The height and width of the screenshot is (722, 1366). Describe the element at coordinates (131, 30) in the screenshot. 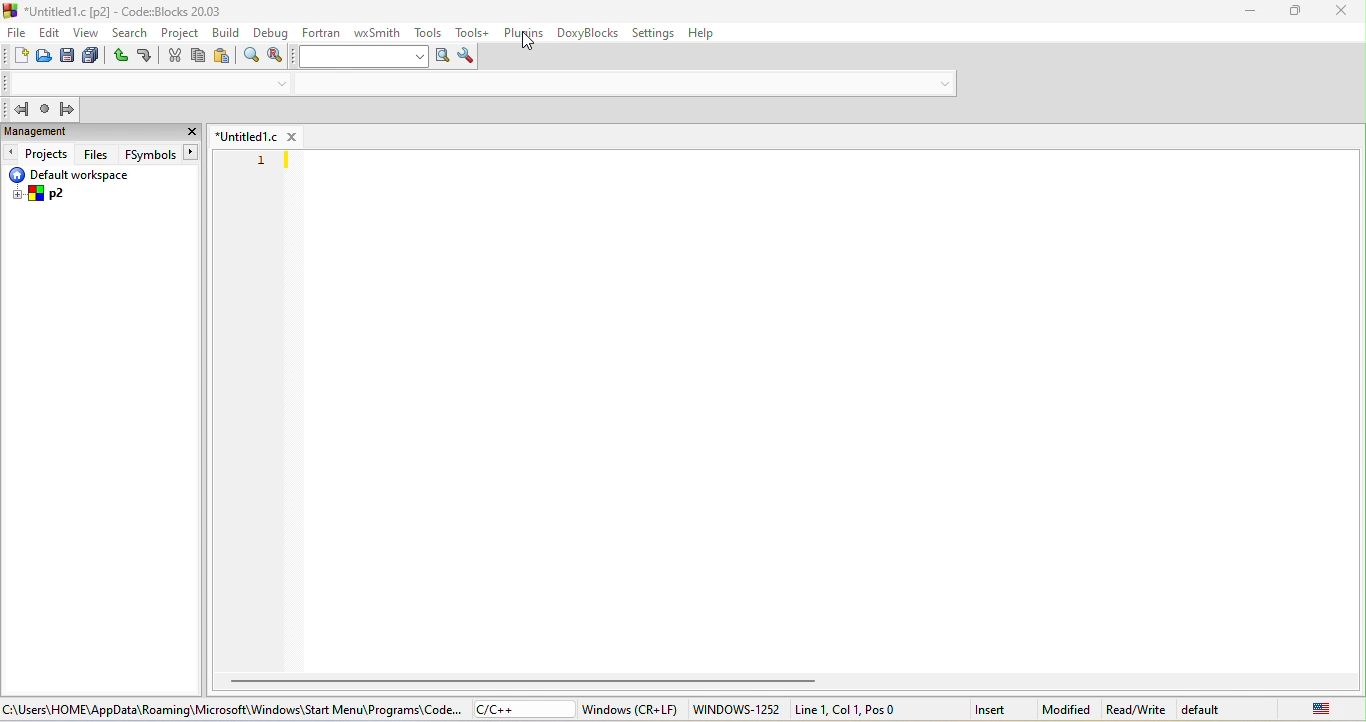

I see `search` at that location.